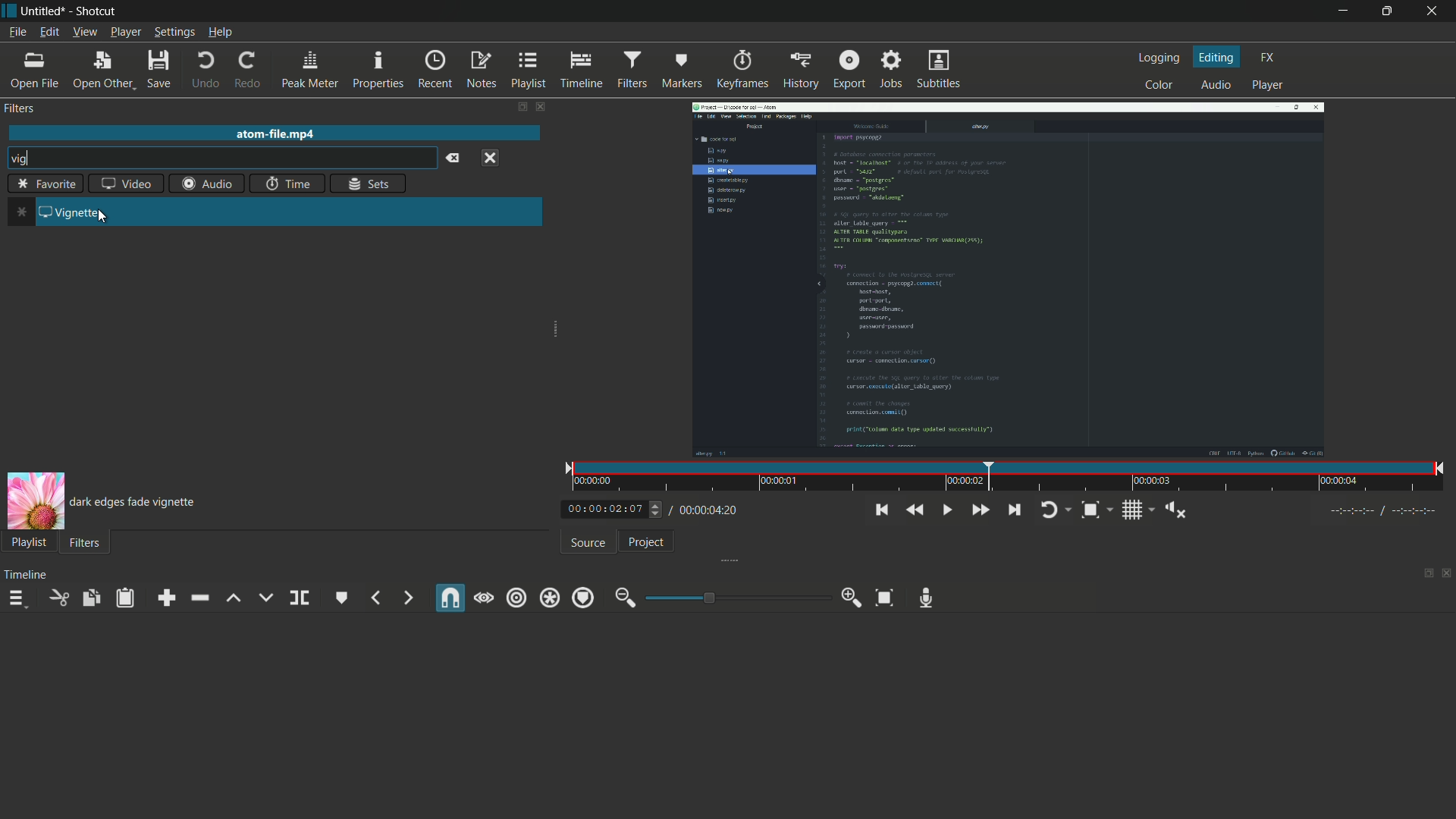 This screenshot has width=1456, height=819. I want to click on cut, so click(58, 598).